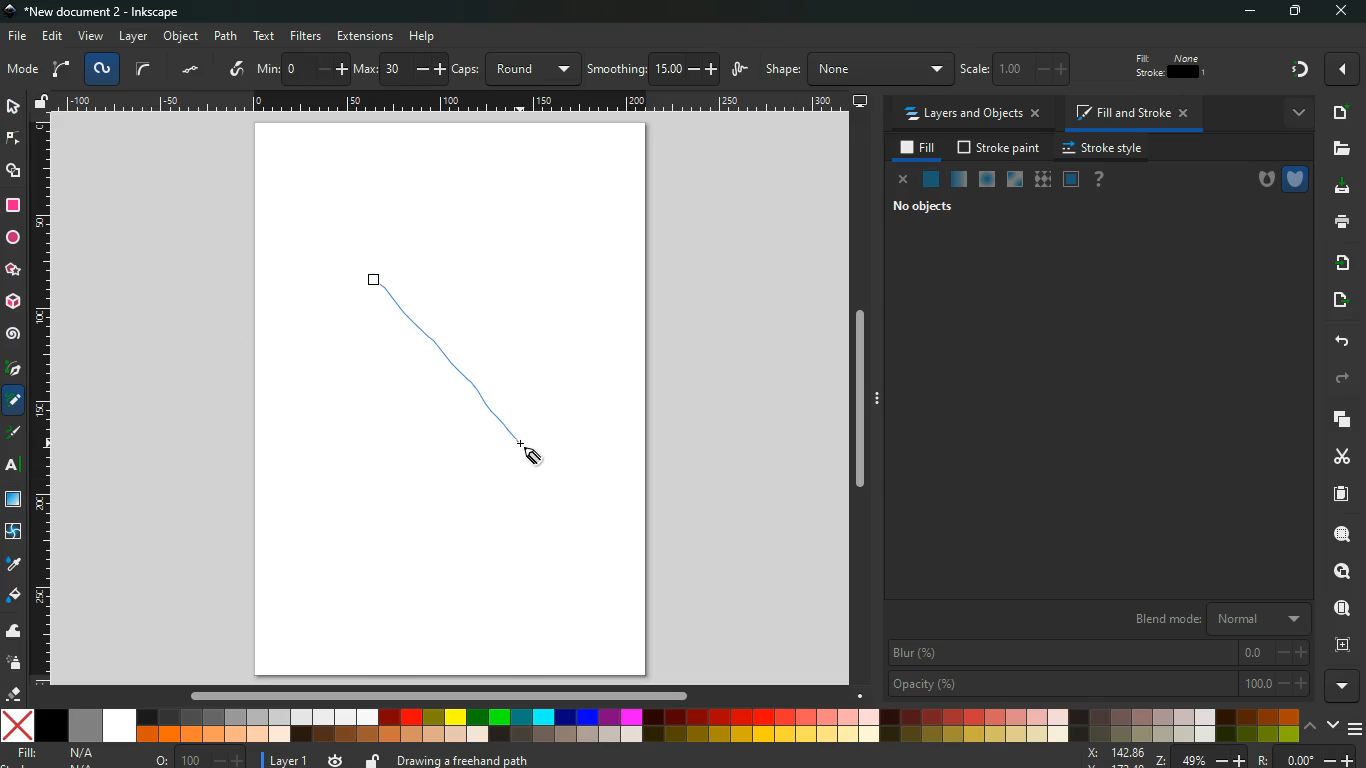 This screenshot has height=768, width=1366. What do you see at coordinates (13, 429) in the screenshot?
I see `description` at bounding box center [13, 429].